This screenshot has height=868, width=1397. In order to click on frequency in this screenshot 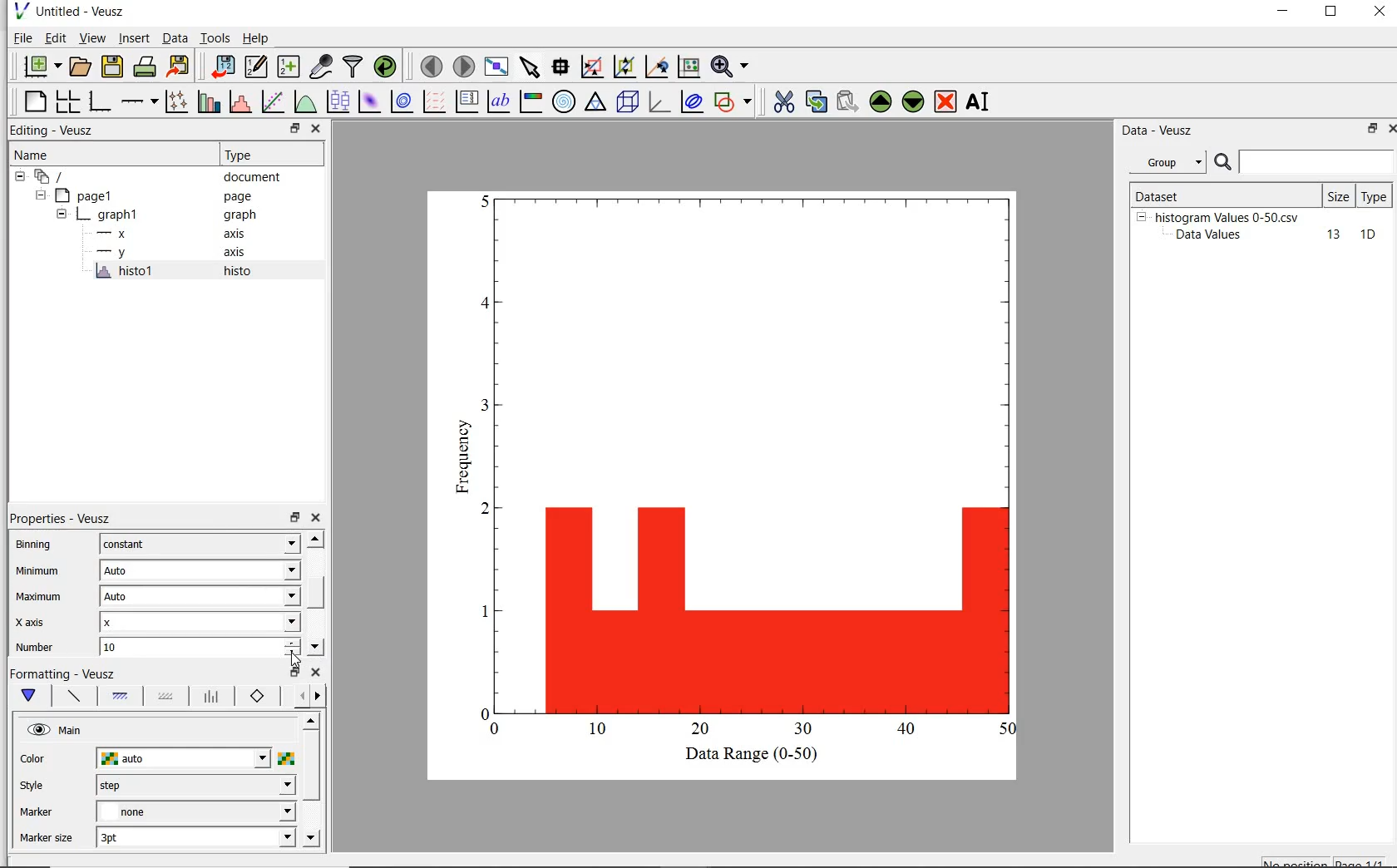, I will do `click(460, 461)`.